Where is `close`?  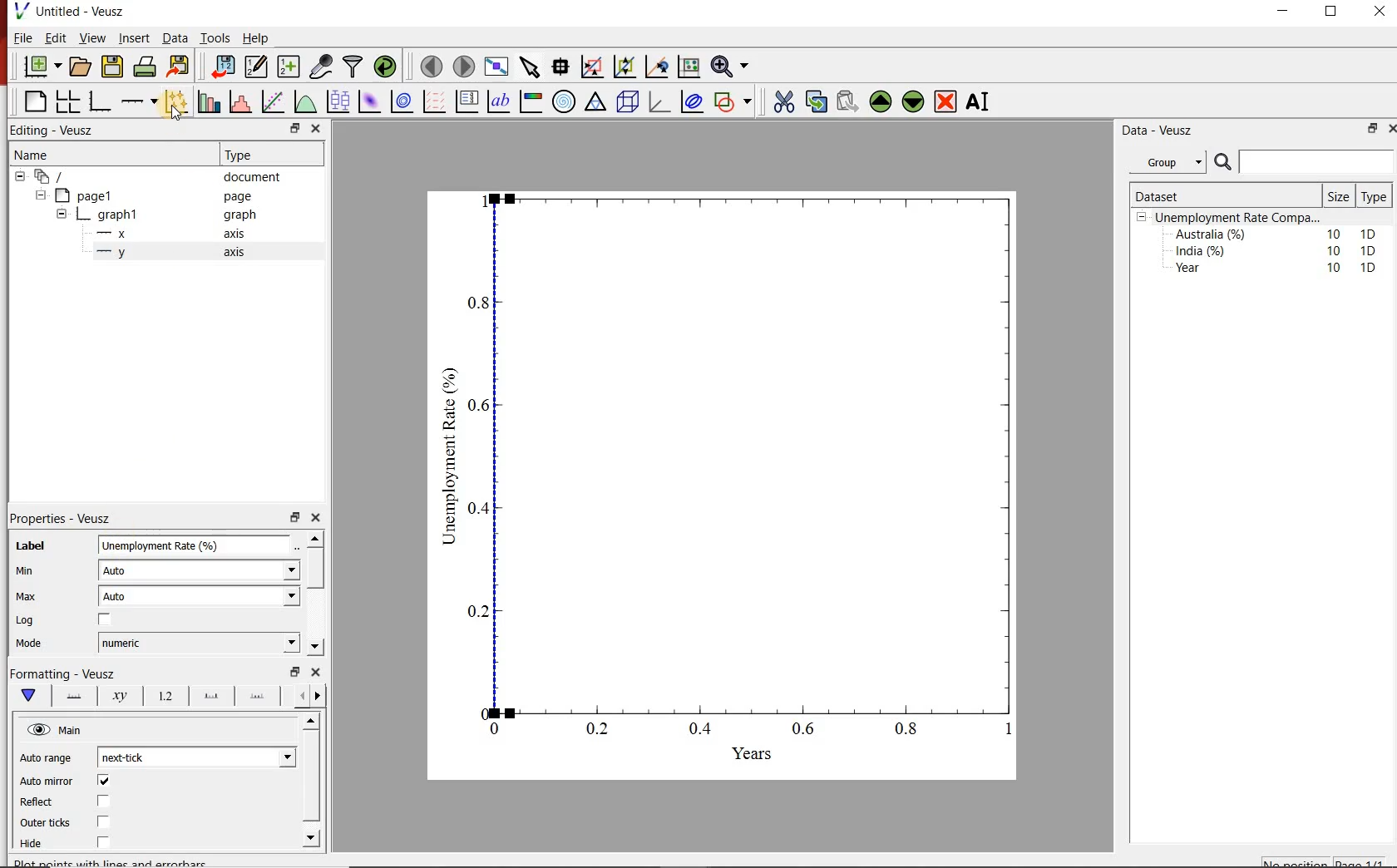 close is located at coordinates (317, 518).